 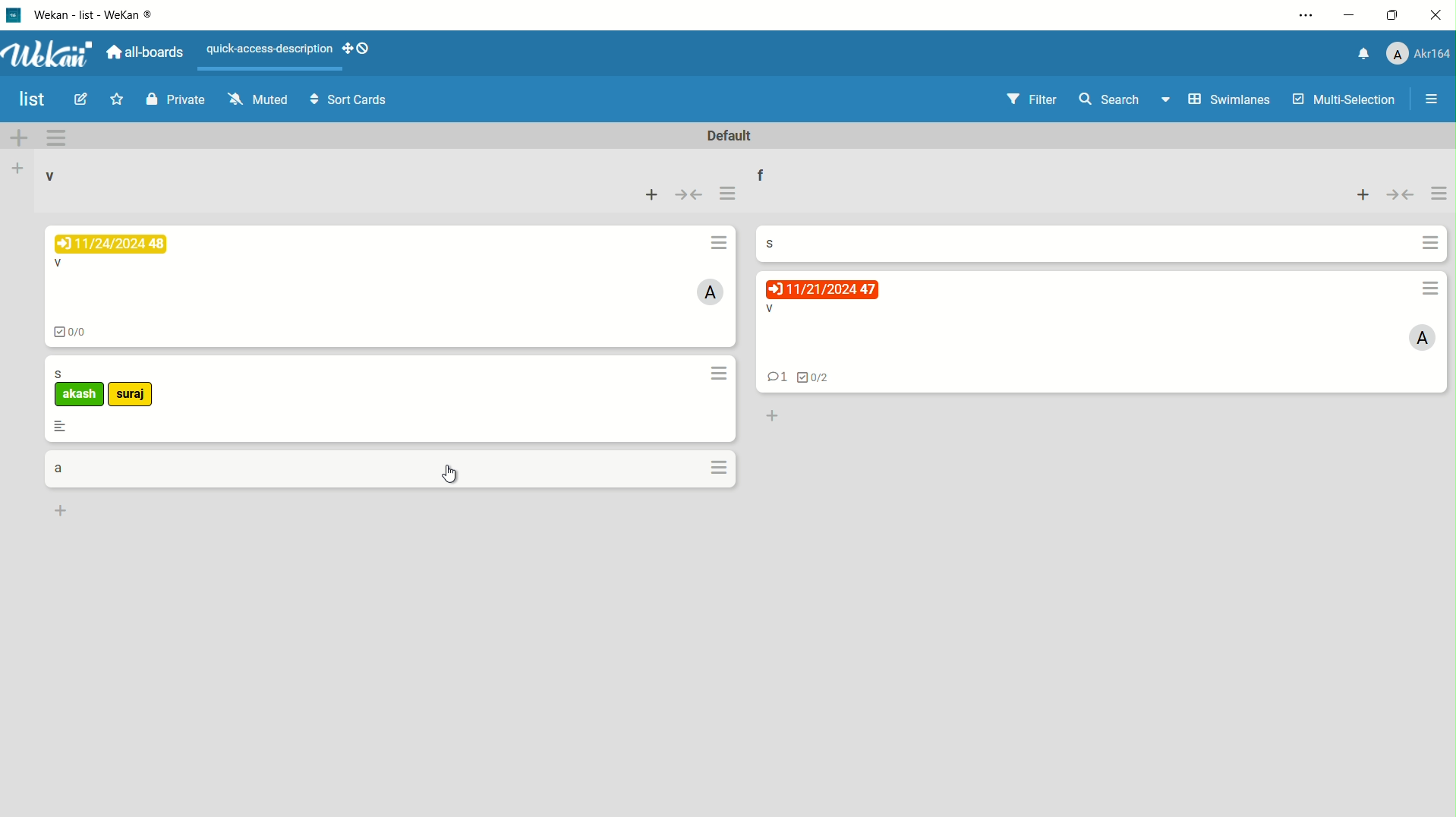 I want to click on add swimlane, so click(x=22, y=138).